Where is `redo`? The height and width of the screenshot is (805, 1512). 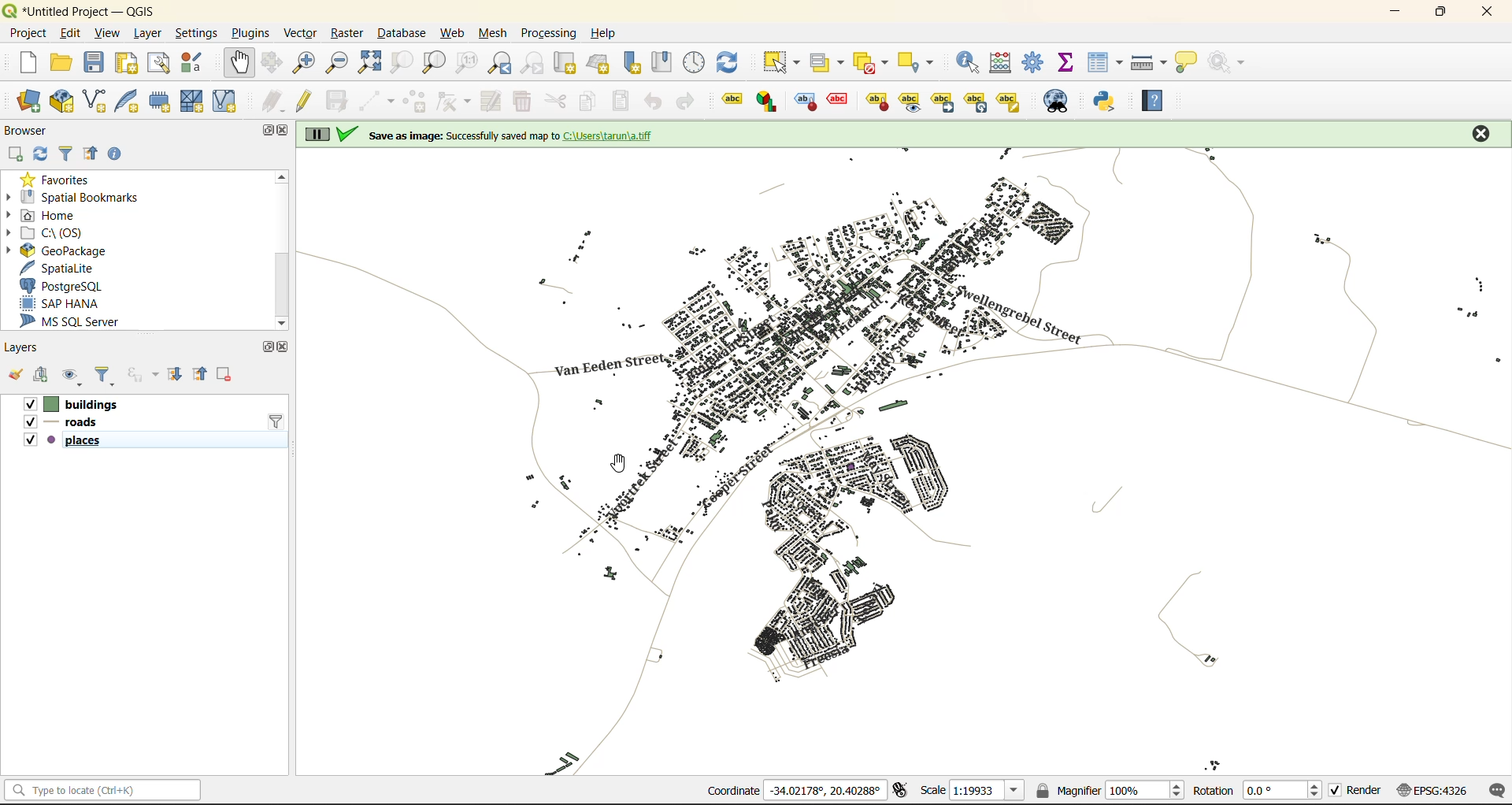
redo is located at coordinates (688, 102).